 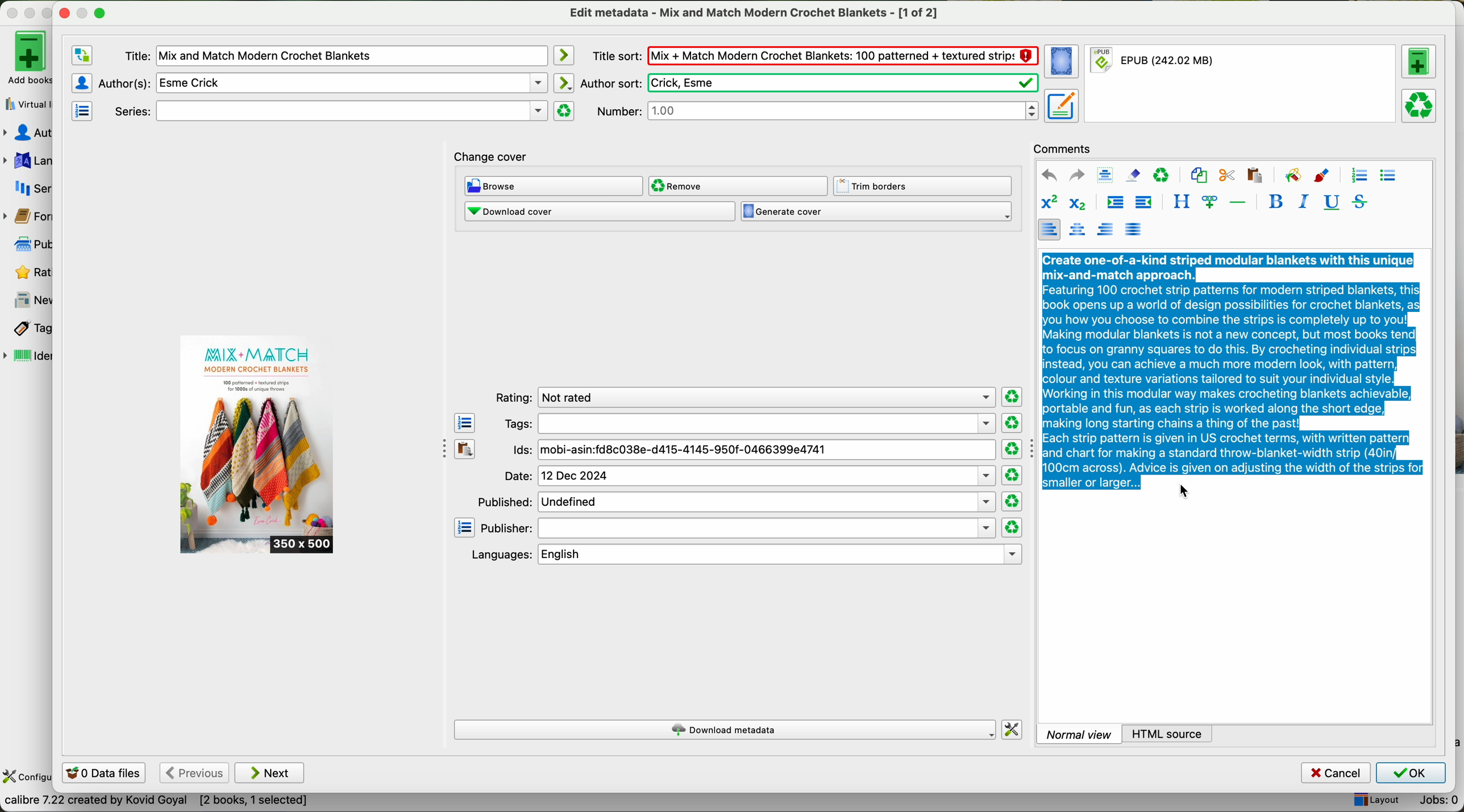 I want to click on copy, so click(x=1199, y=176).